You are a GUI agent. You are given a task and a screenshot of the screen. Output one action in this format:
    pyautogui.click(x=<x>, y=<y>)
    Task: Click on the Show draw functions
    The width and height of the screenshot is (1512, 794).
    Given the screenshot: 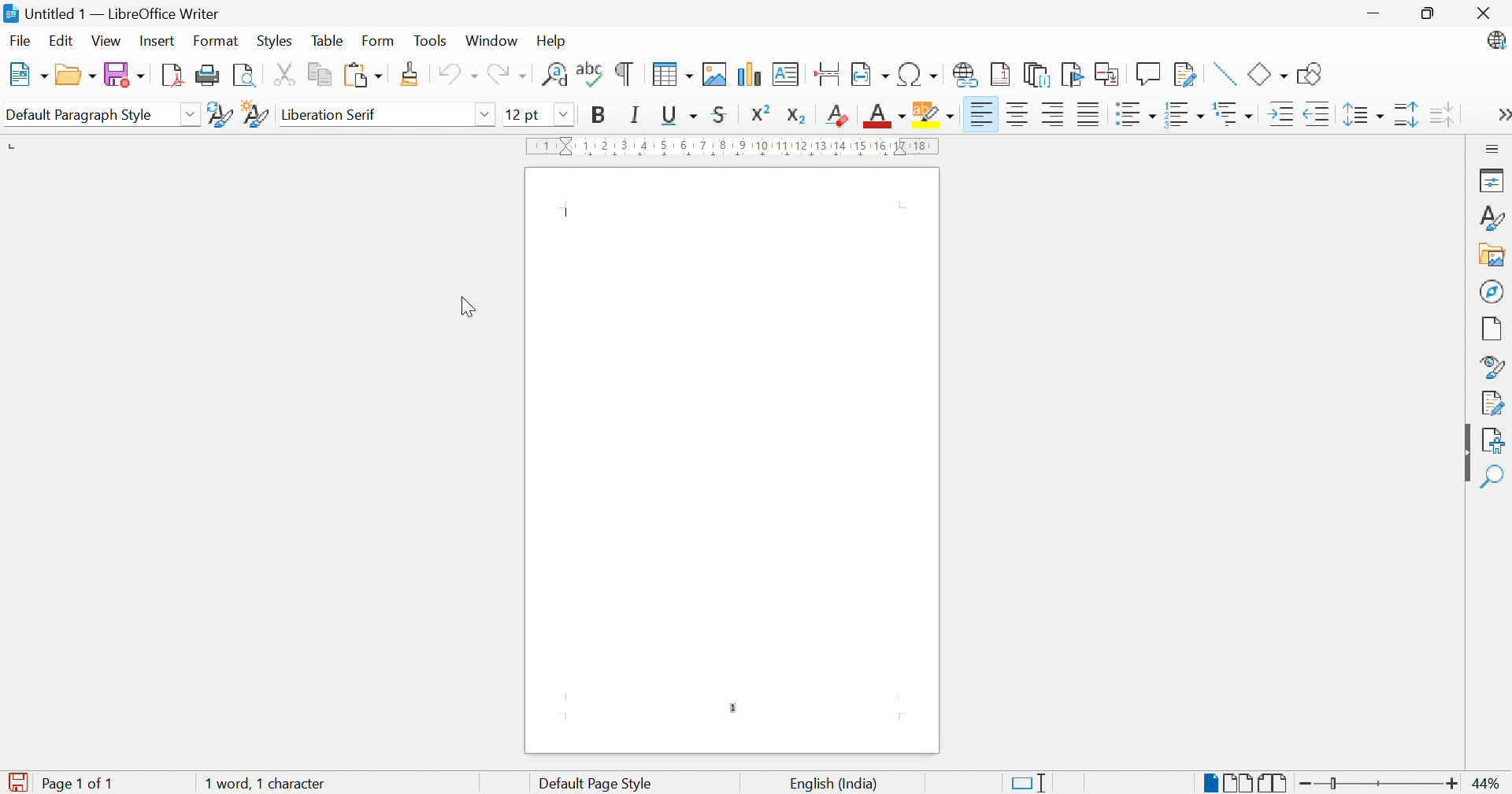 What is the action you would take?
    pyautogui.click(x=1310, y=73)
    